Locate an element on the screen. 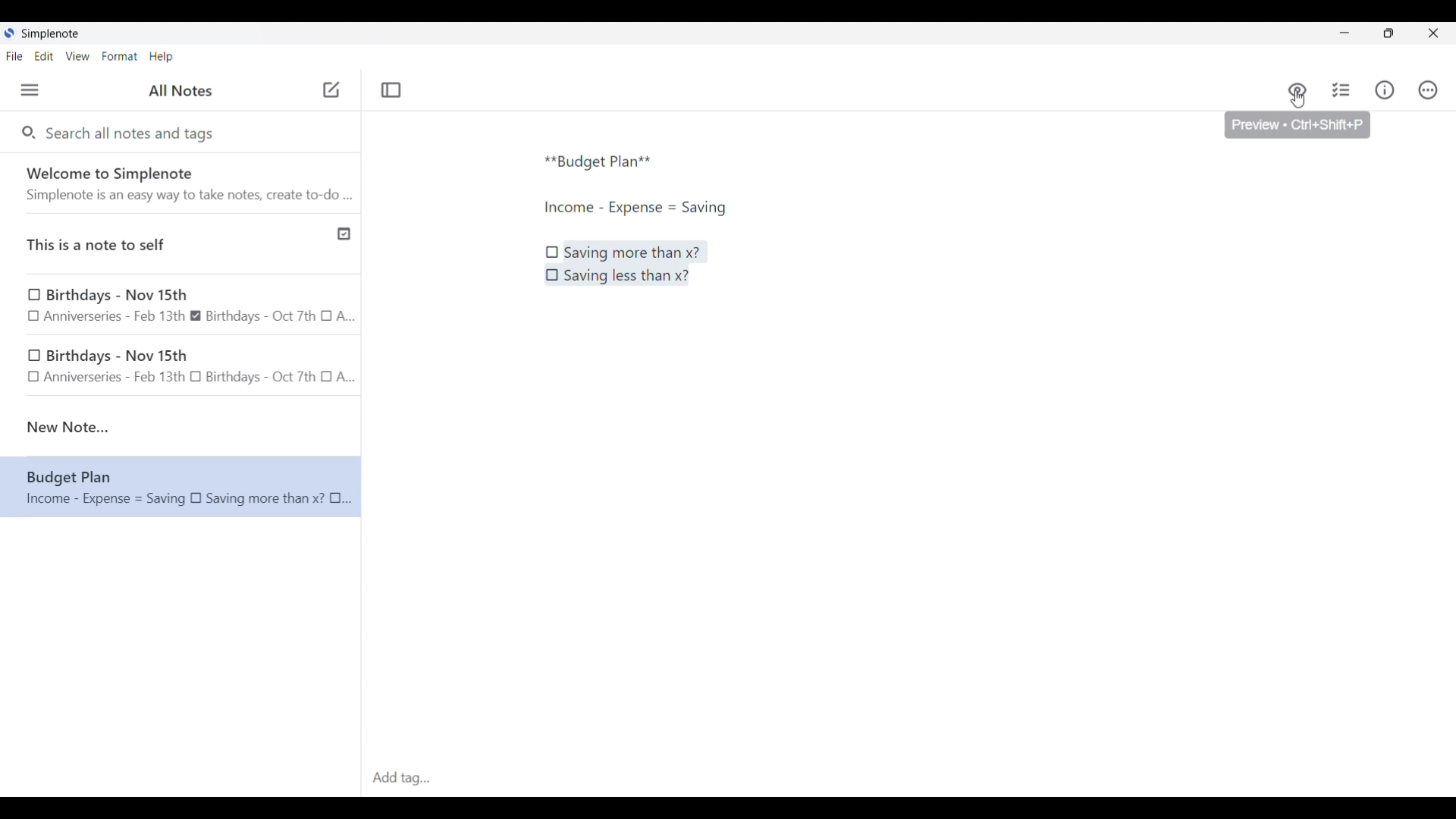  Insert checklist is located at coordinates (1342, 90).